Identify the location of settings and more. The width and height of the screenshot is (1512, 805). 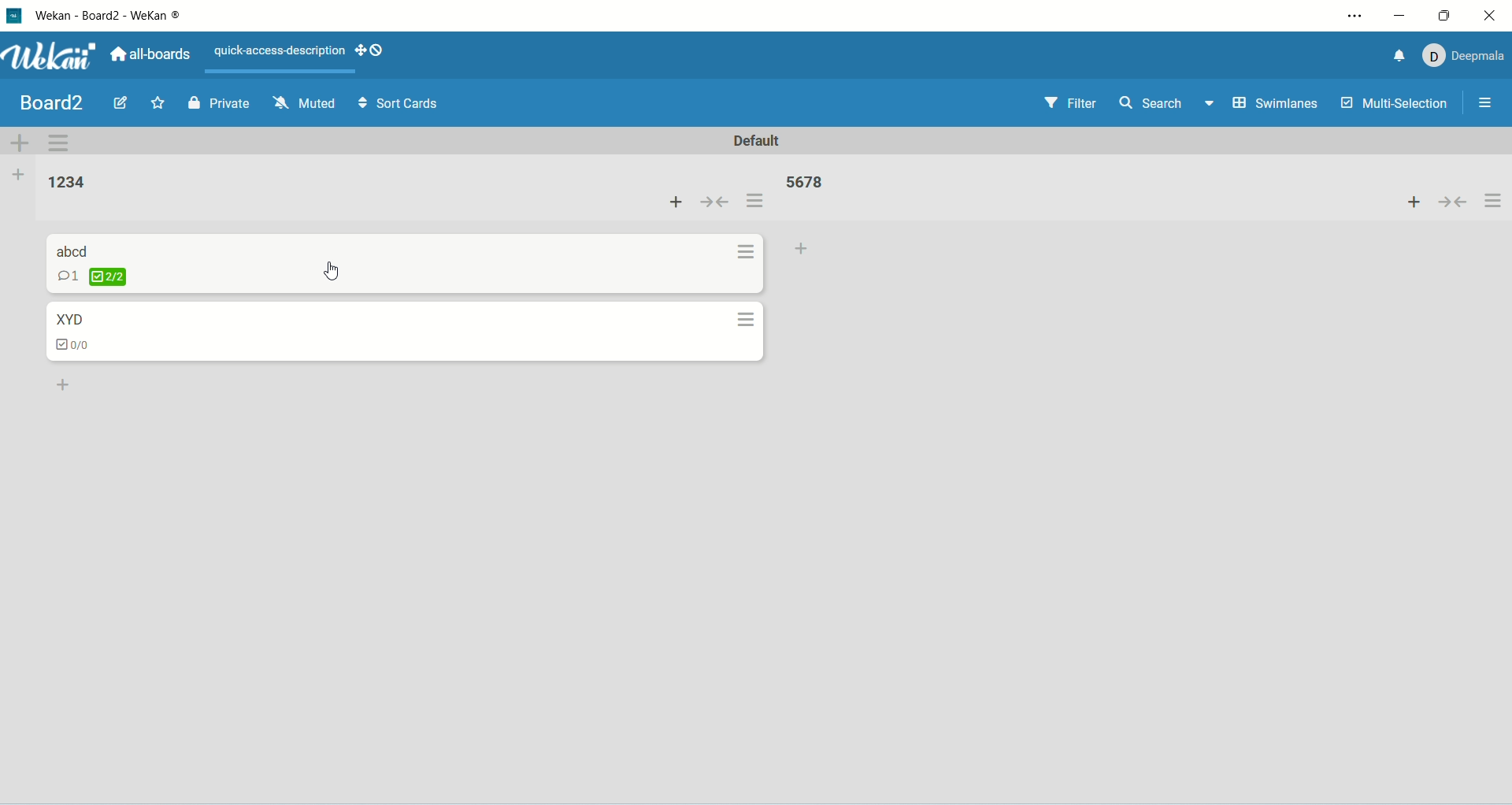
(1354, 17).